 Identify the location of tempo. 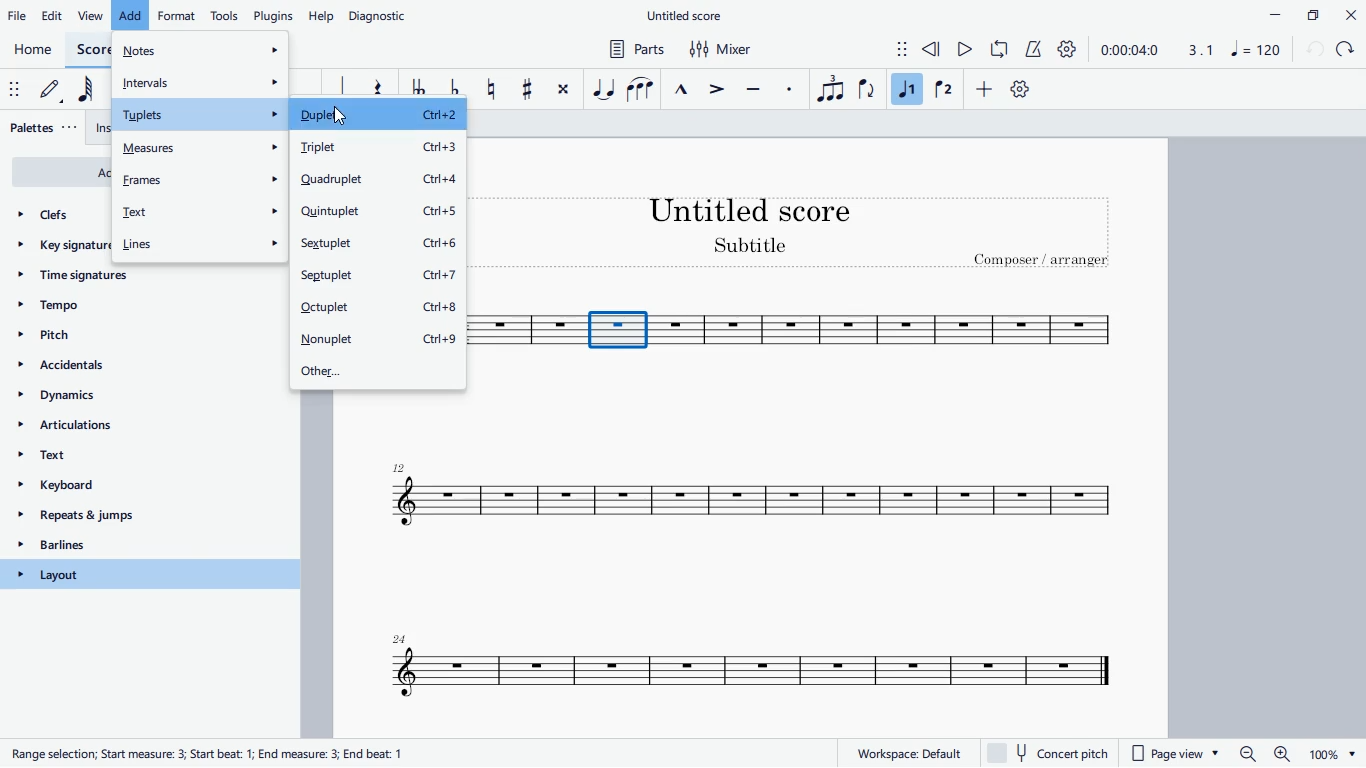
(117, 307).